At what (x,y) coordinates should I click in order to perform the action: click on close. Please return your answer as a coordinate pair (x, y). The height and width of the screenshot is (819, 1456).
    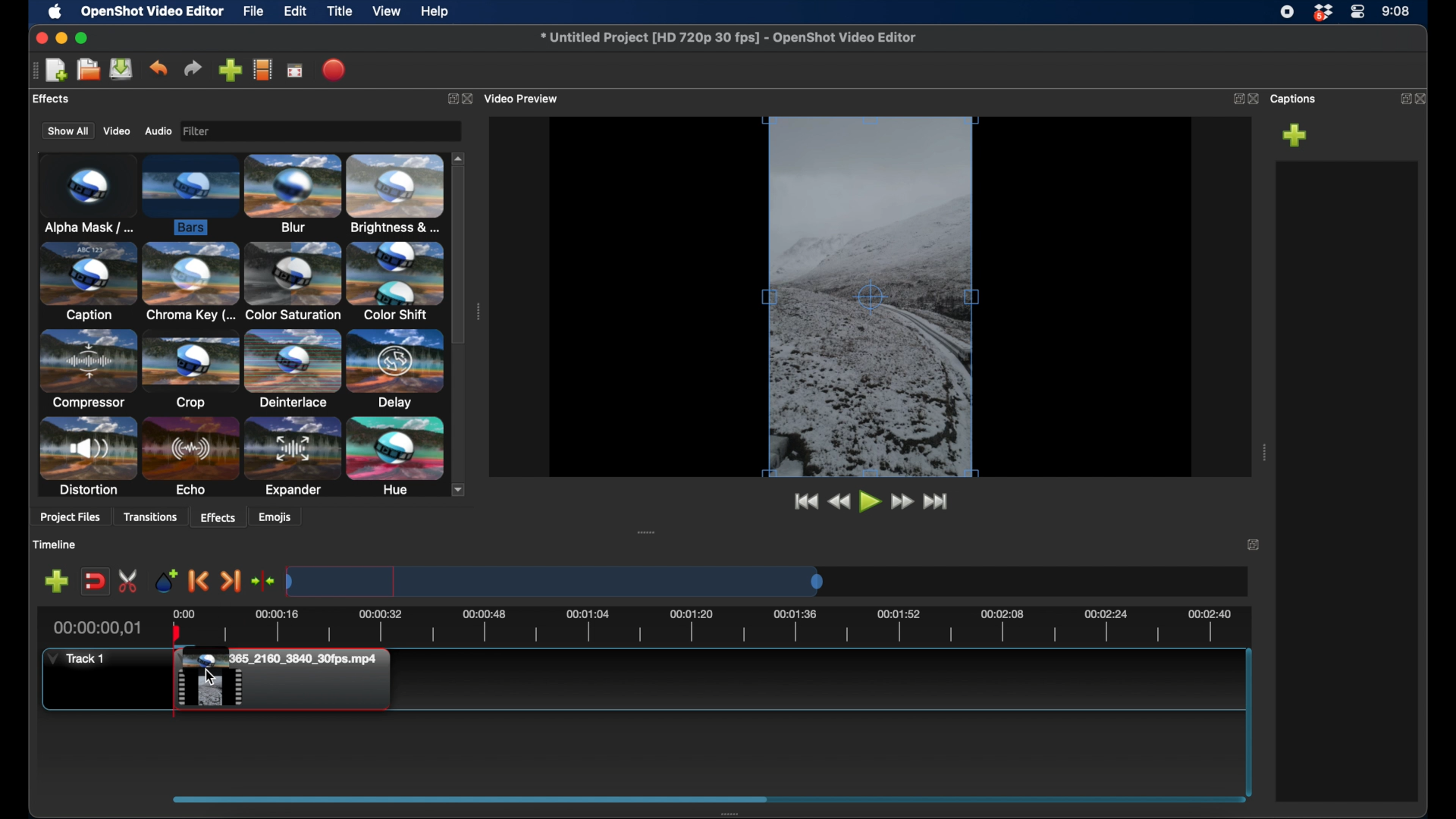
    Looking at the image, I should click on (39, 38).